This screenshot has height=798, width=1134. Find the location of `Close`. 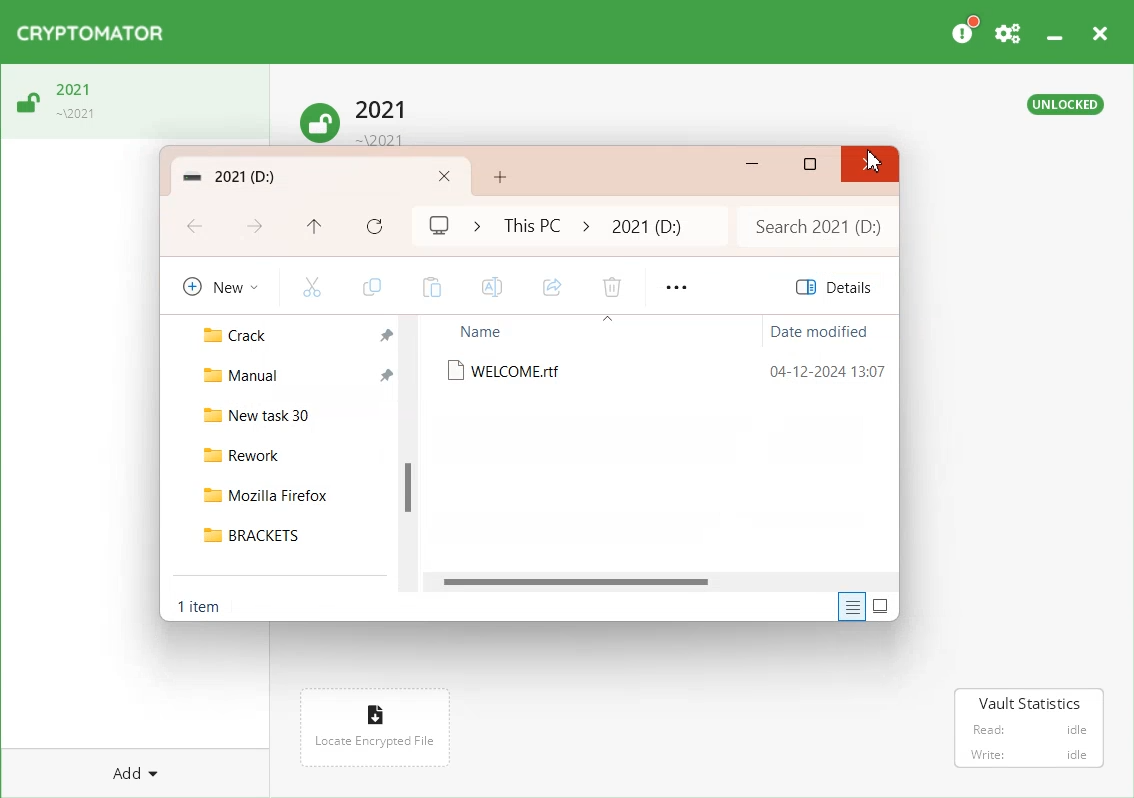

Close is located at coordinates (873, 164).